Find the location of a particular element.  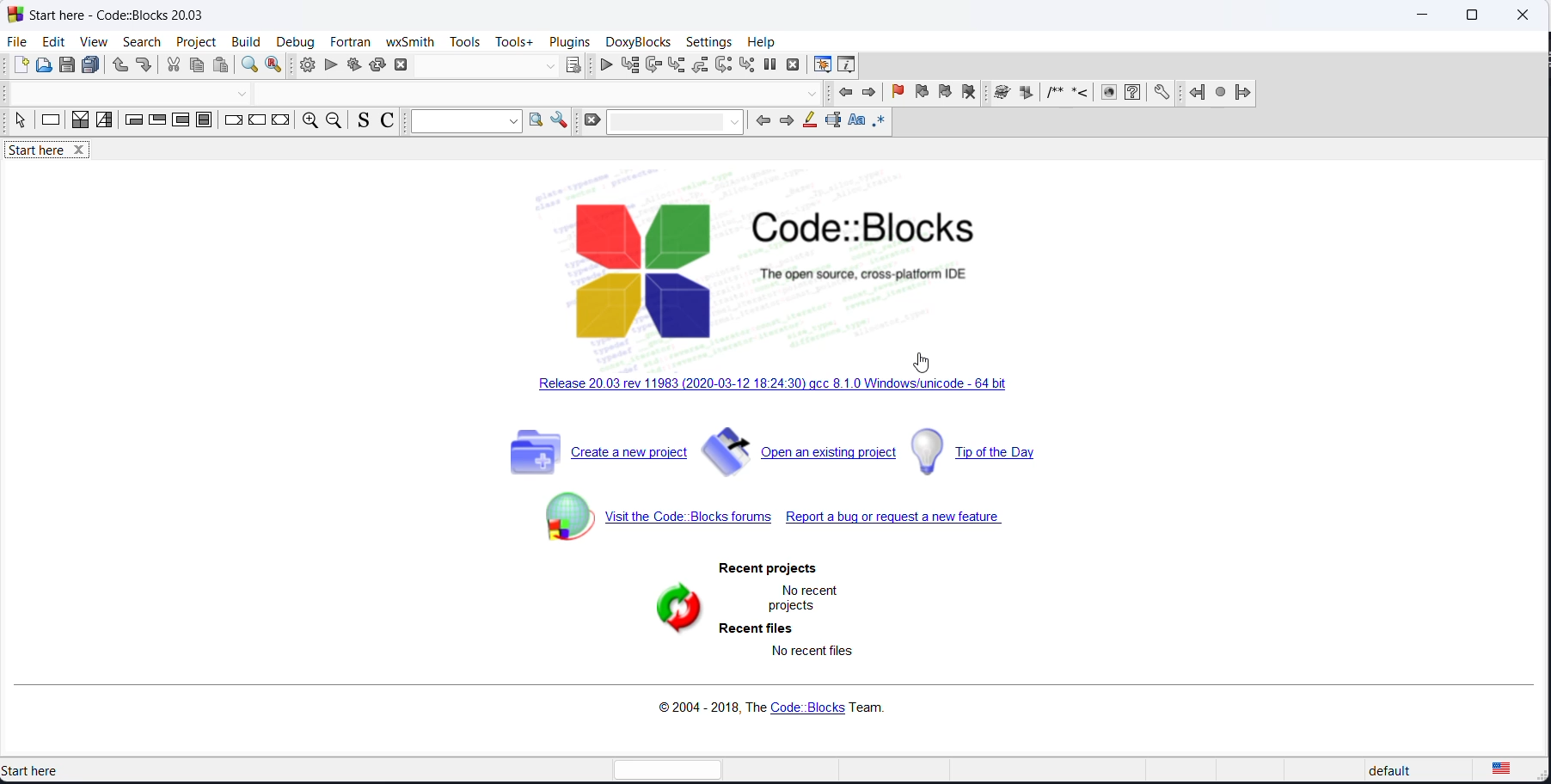

no recent projects is located at coordinates (810, 596).